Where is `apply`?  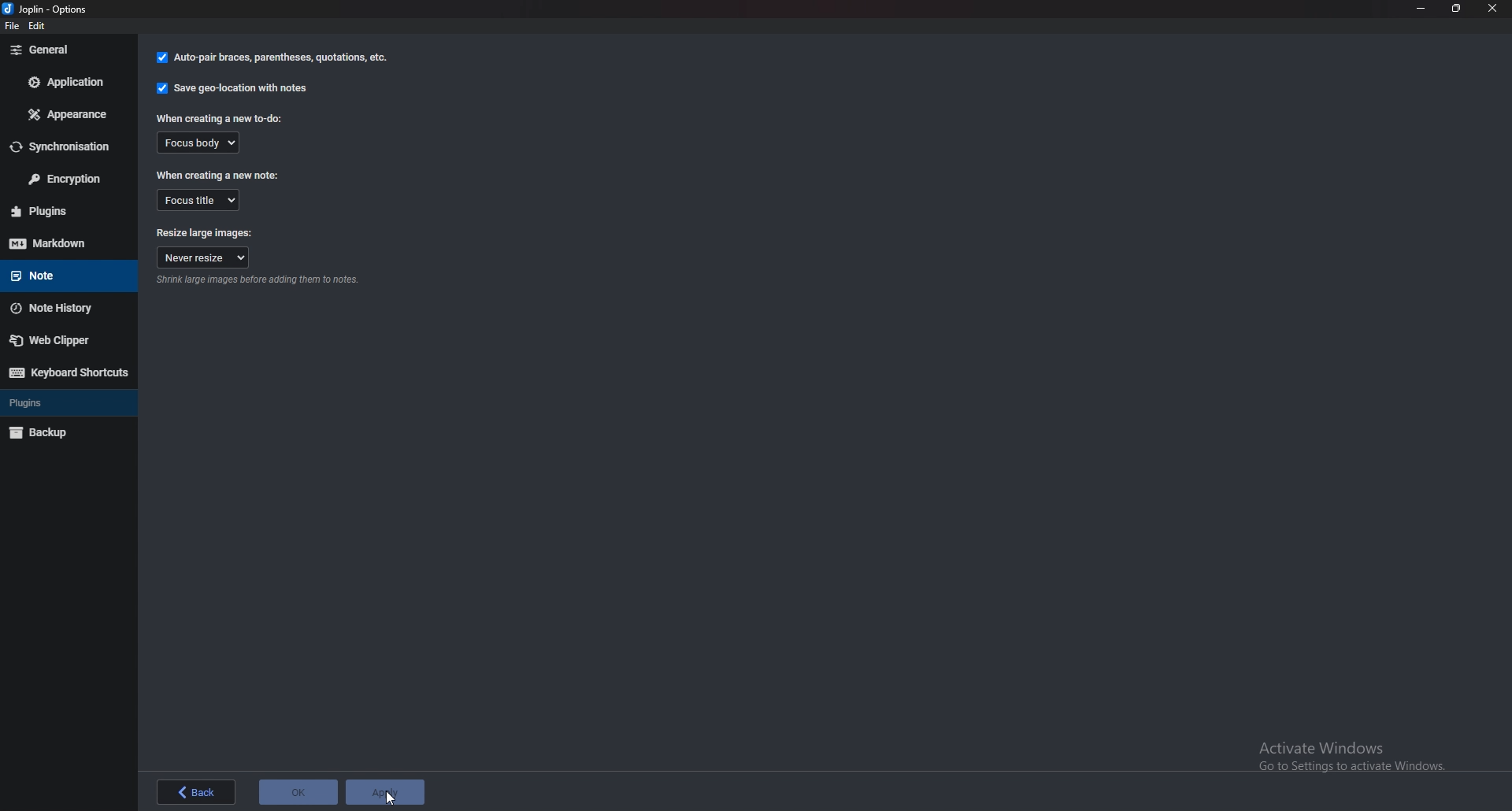
apply is located at coordinates (390, 792).